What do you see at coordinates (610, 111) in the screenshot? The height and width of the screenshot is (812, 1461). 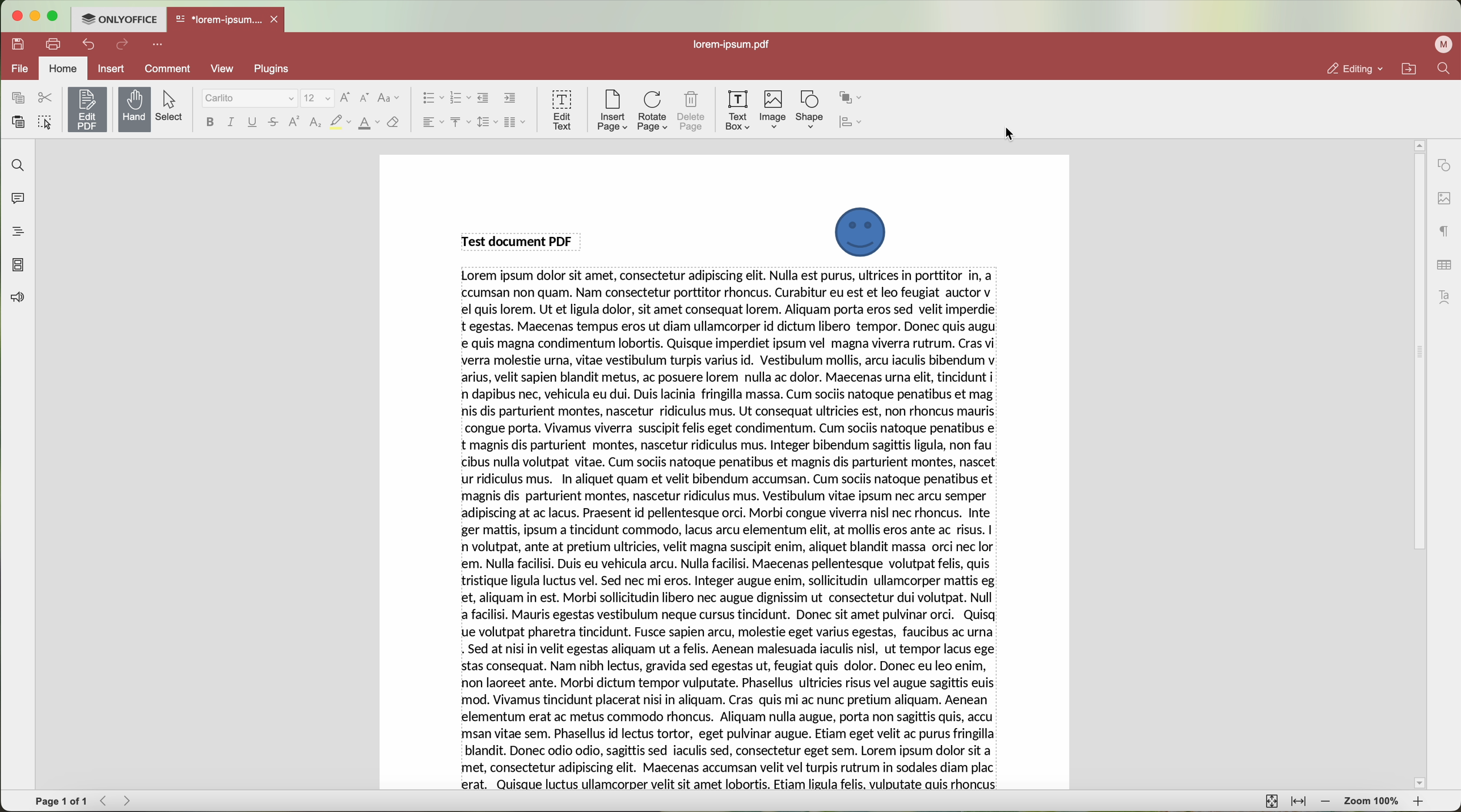 I see `insert page` at bounding box center [610, 111].